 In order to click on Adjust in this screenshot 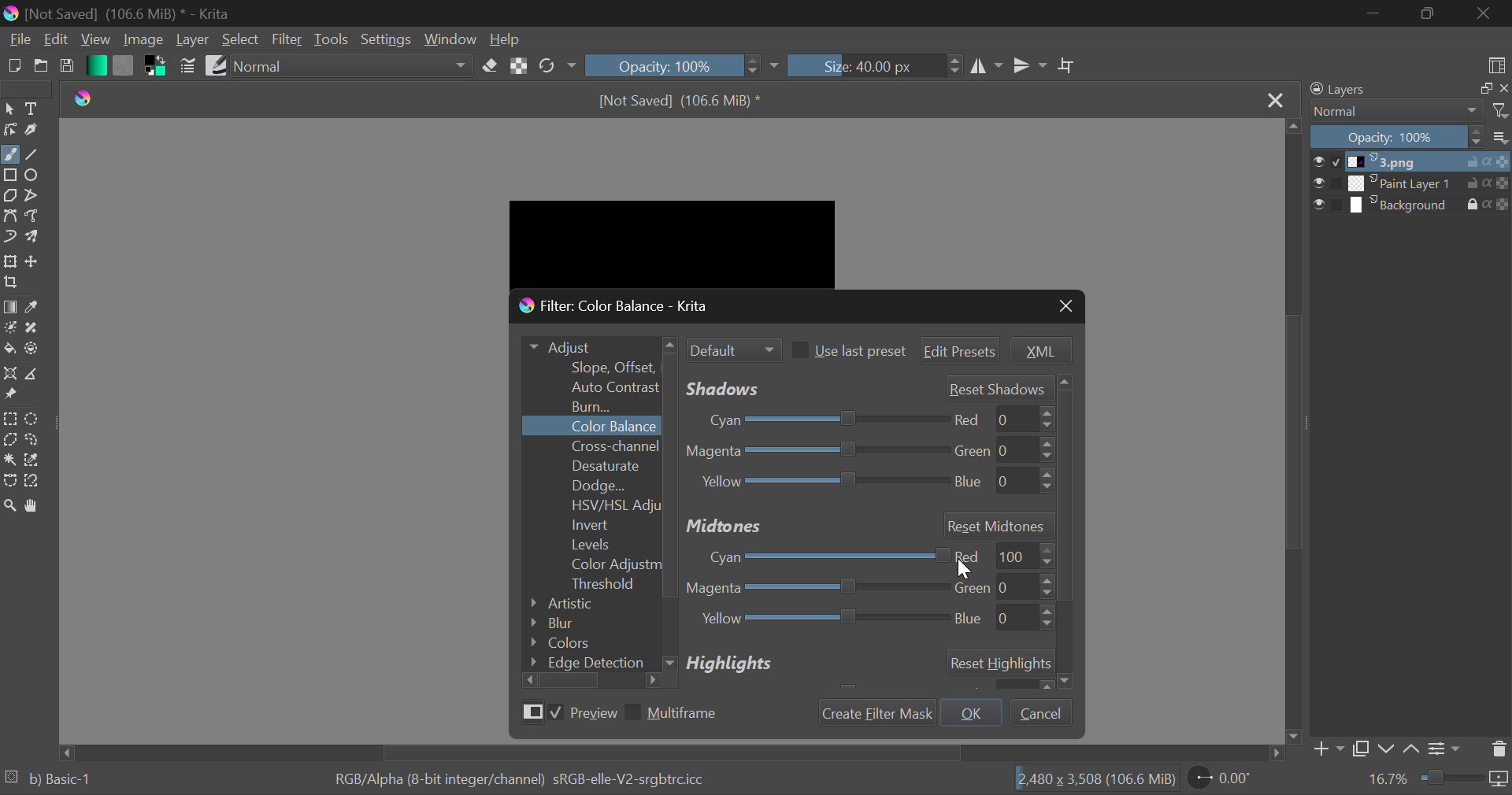, I will do `click(597, 348)`.